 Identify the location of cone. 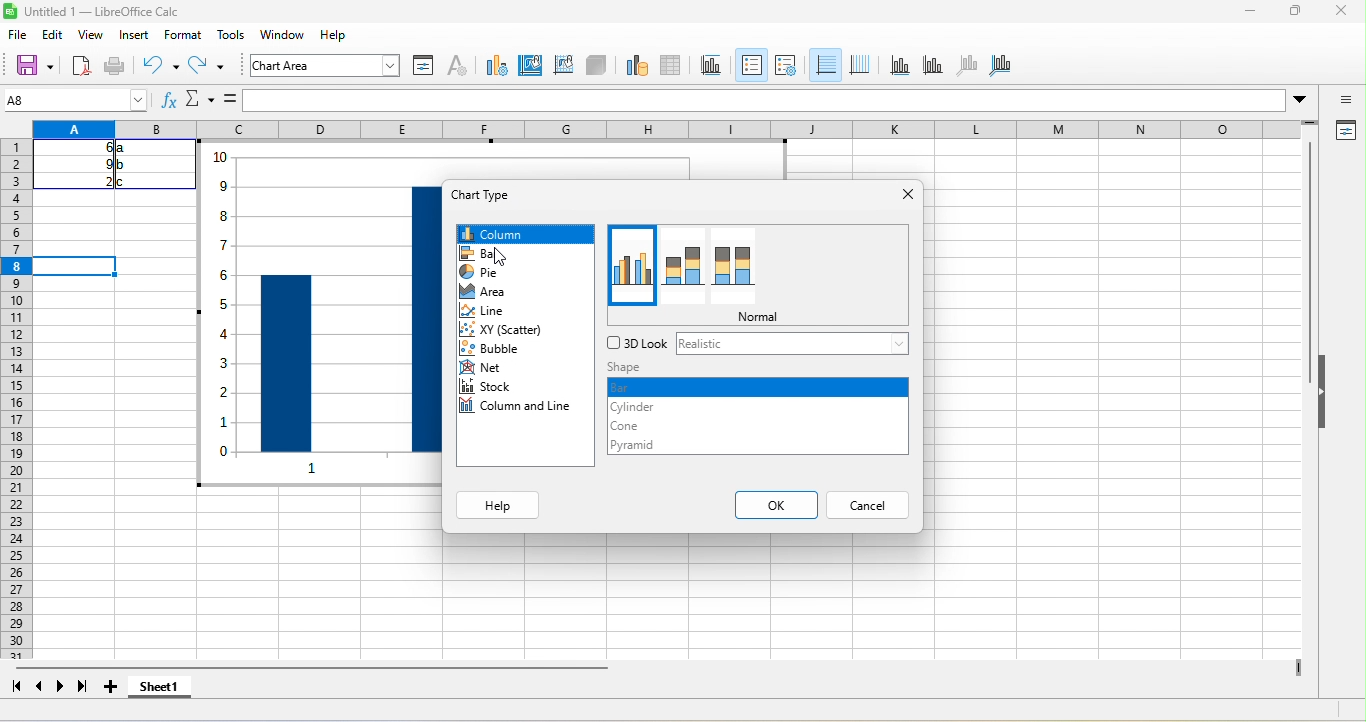
(642, 426).